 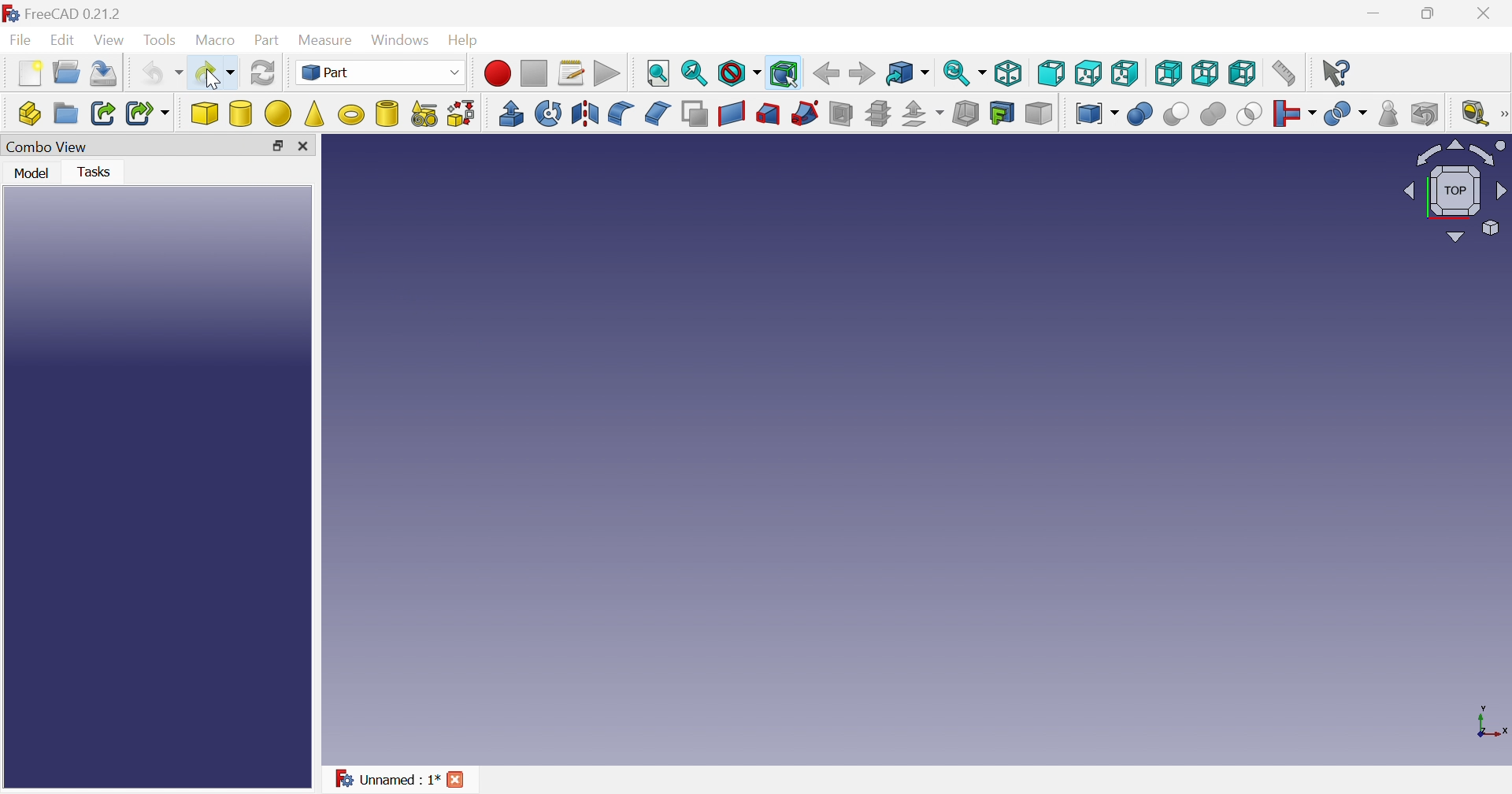 What do you see at coordinates (351, 115) in the screenshot?
I see `Torus` at bounding box center [351, 115].